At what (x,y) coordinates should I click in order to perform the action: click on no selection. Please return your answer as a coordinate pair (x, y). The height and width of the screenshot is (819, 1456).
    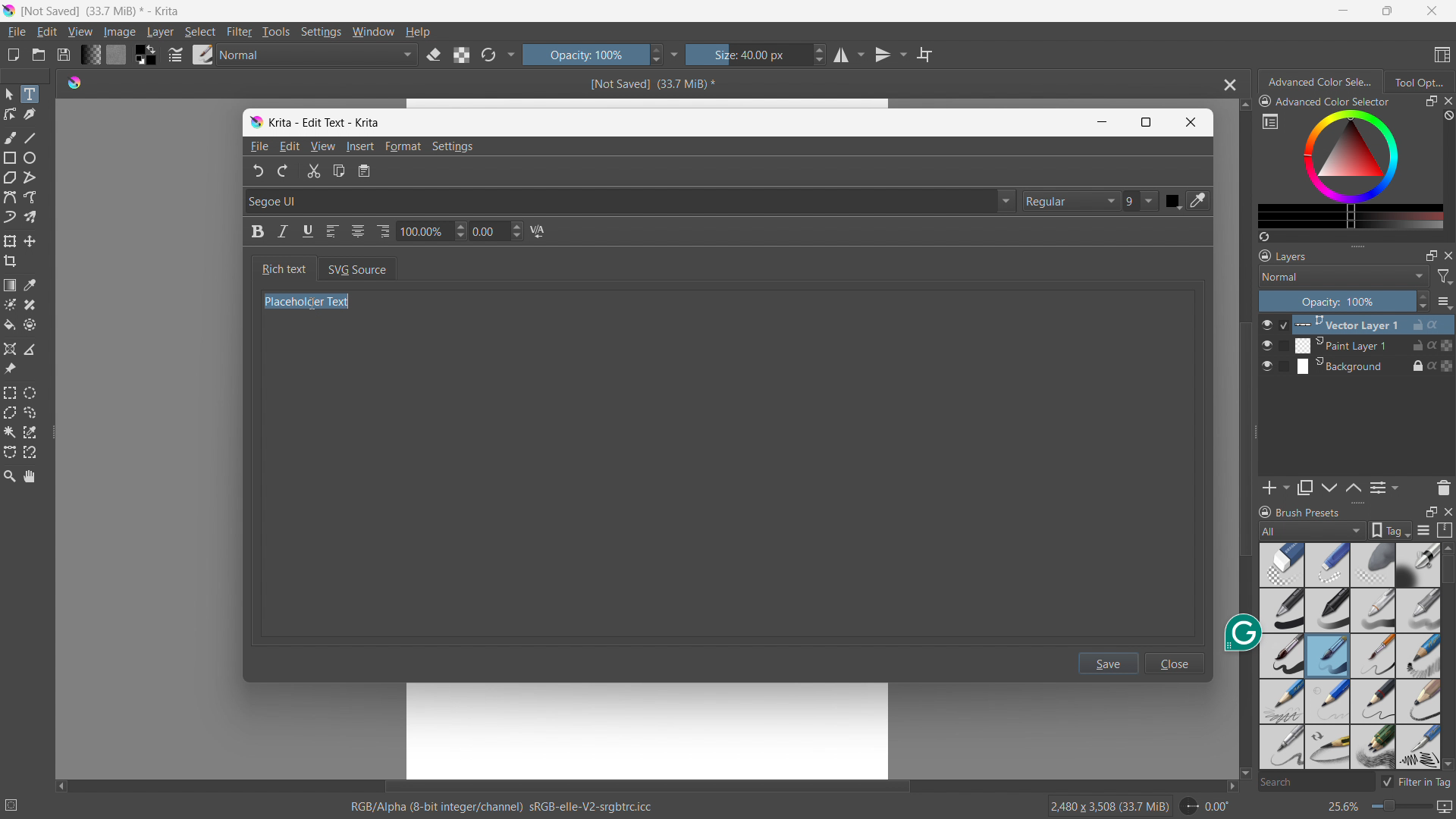
    Looking at the image, I should click on (18, 802).